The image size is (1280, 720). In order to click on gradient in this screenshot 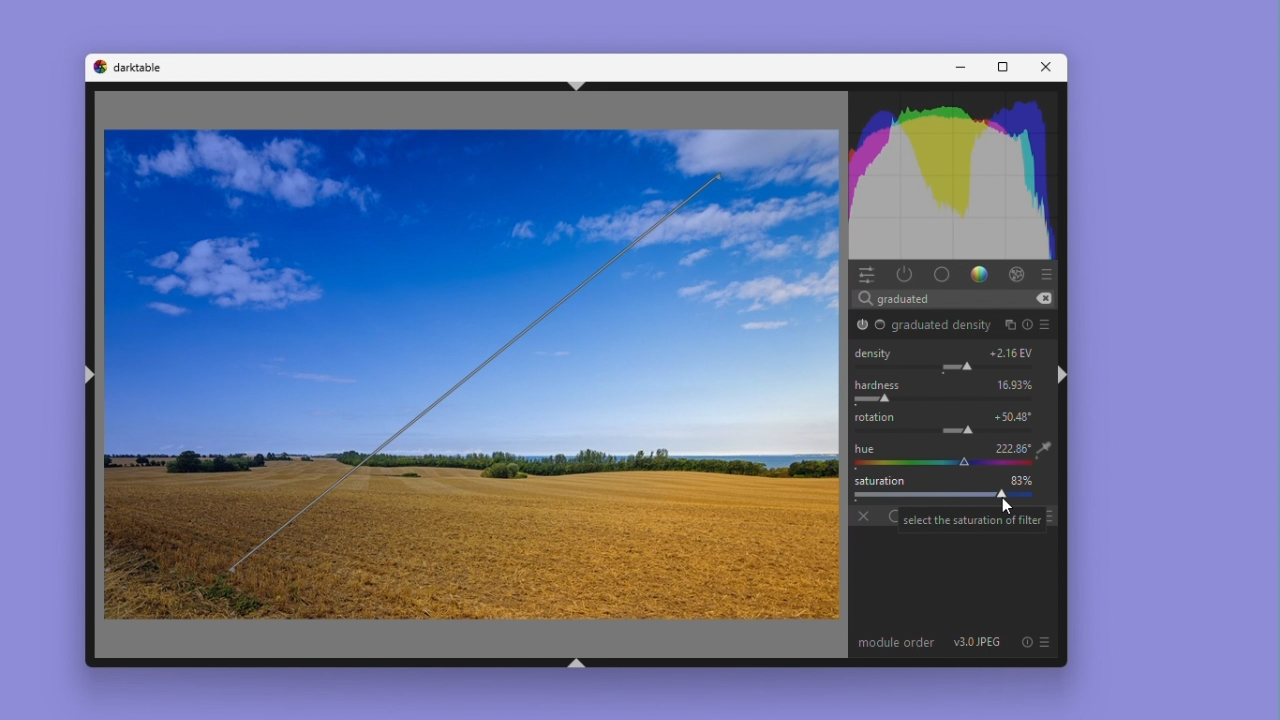, I will do `click(977, 273)`.